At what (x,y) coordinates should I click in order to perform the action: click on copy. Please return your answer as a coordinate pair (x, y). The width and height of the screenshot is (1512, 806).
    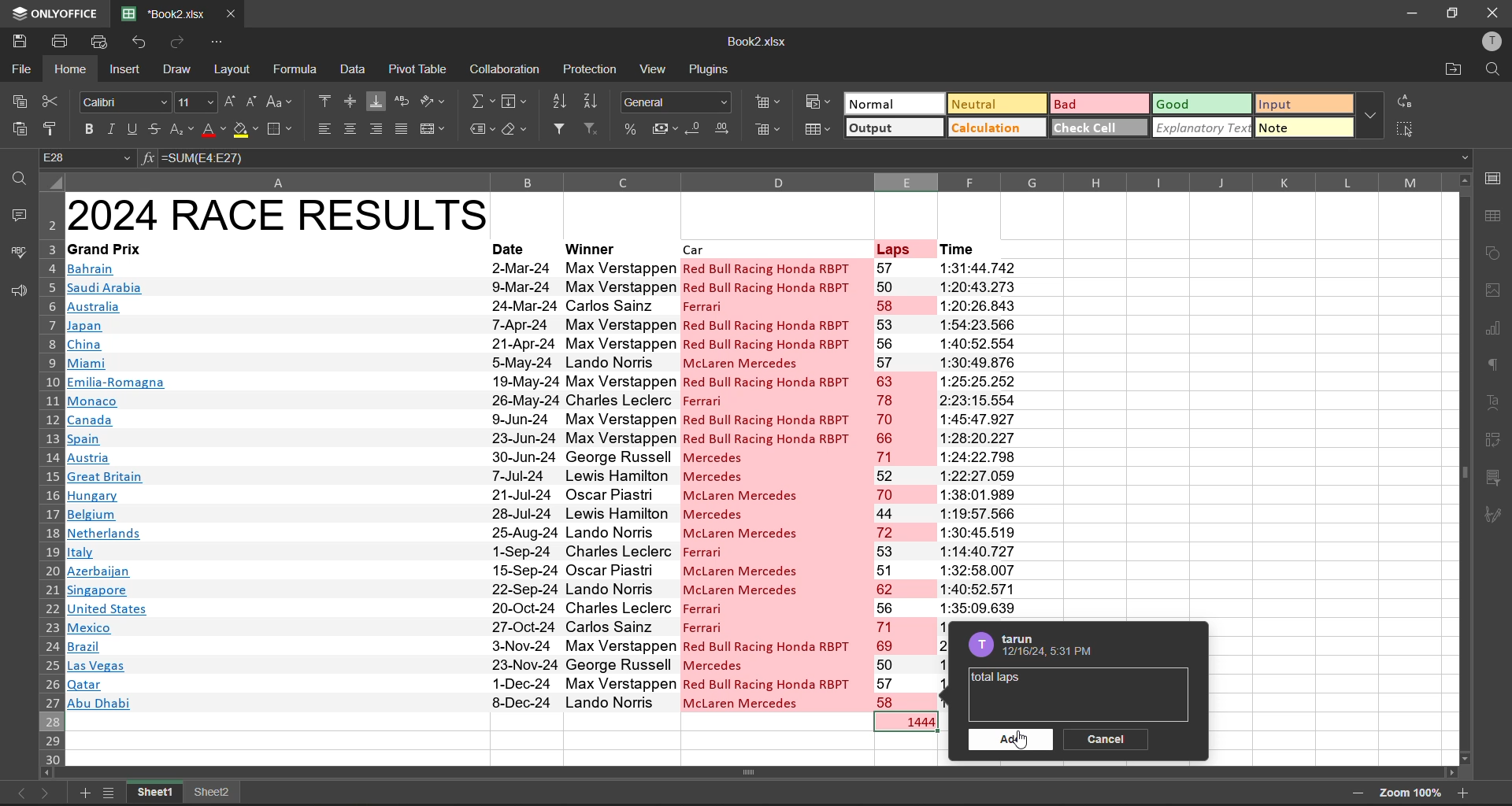
    Looking at the image, I should click on (17, 98).